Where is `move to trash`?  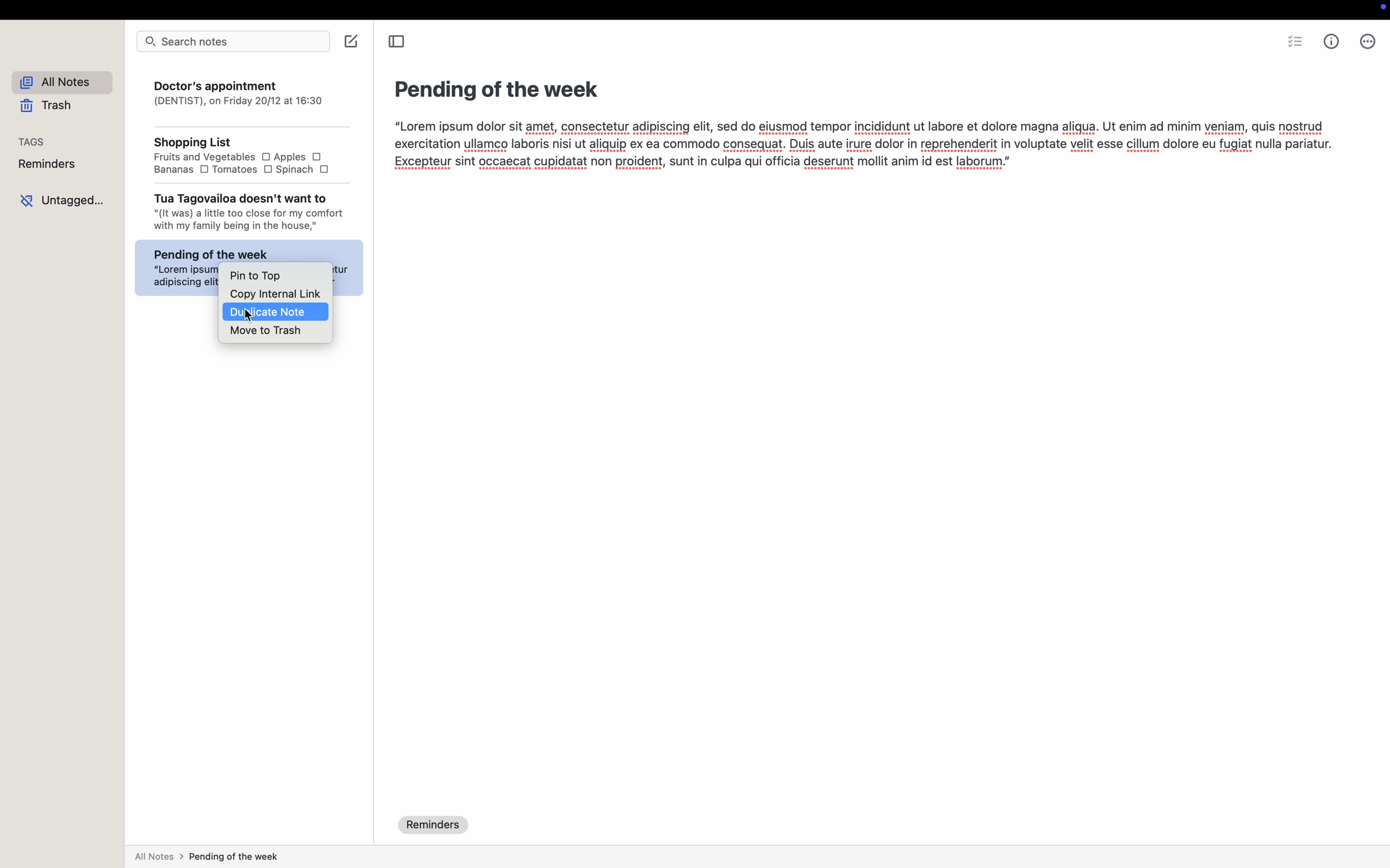 move to trash is located at coordinates (276, 332).